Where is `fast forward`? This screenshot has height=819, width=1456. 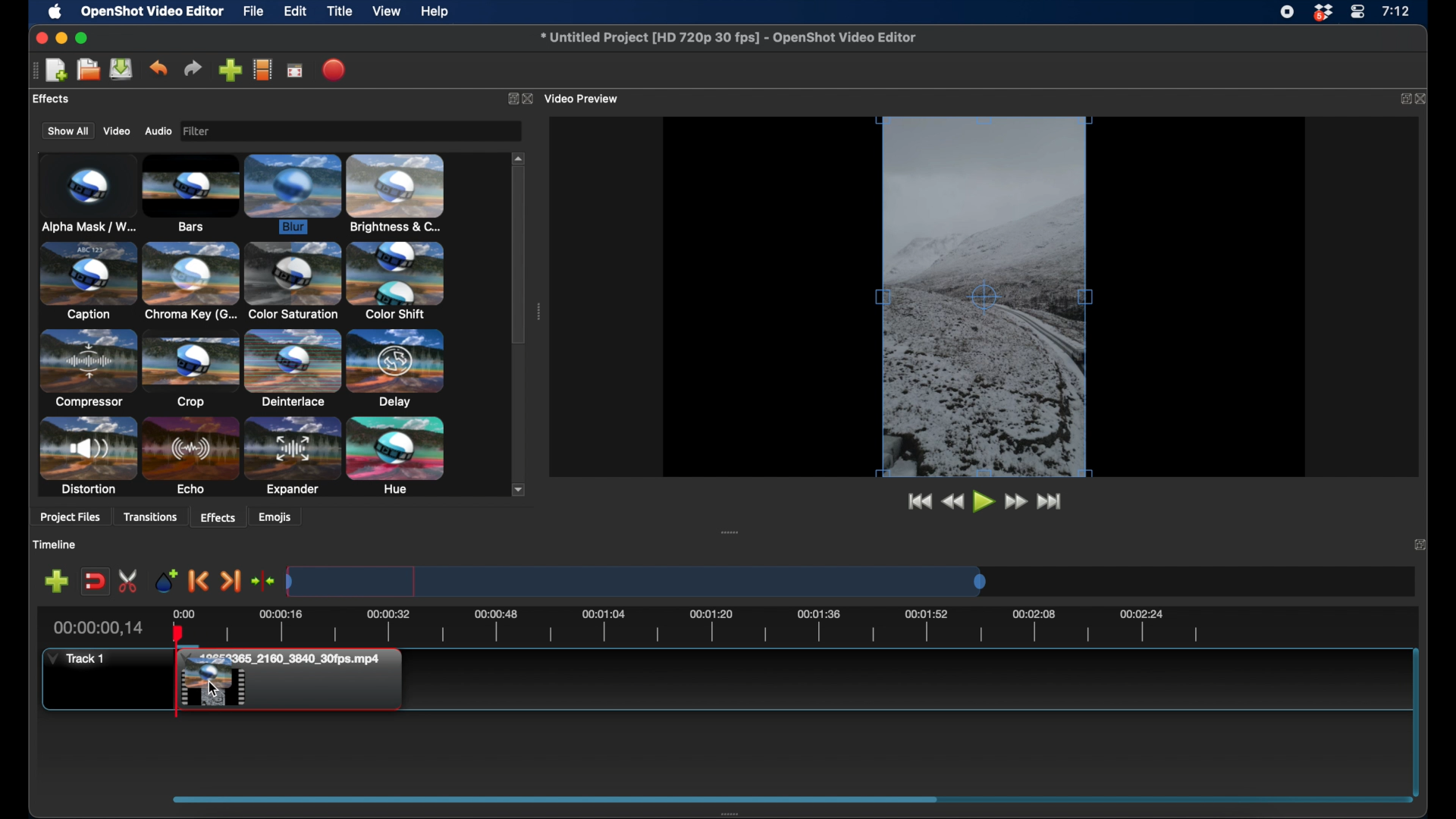 fast forward is located at coordinates (1018, 502).